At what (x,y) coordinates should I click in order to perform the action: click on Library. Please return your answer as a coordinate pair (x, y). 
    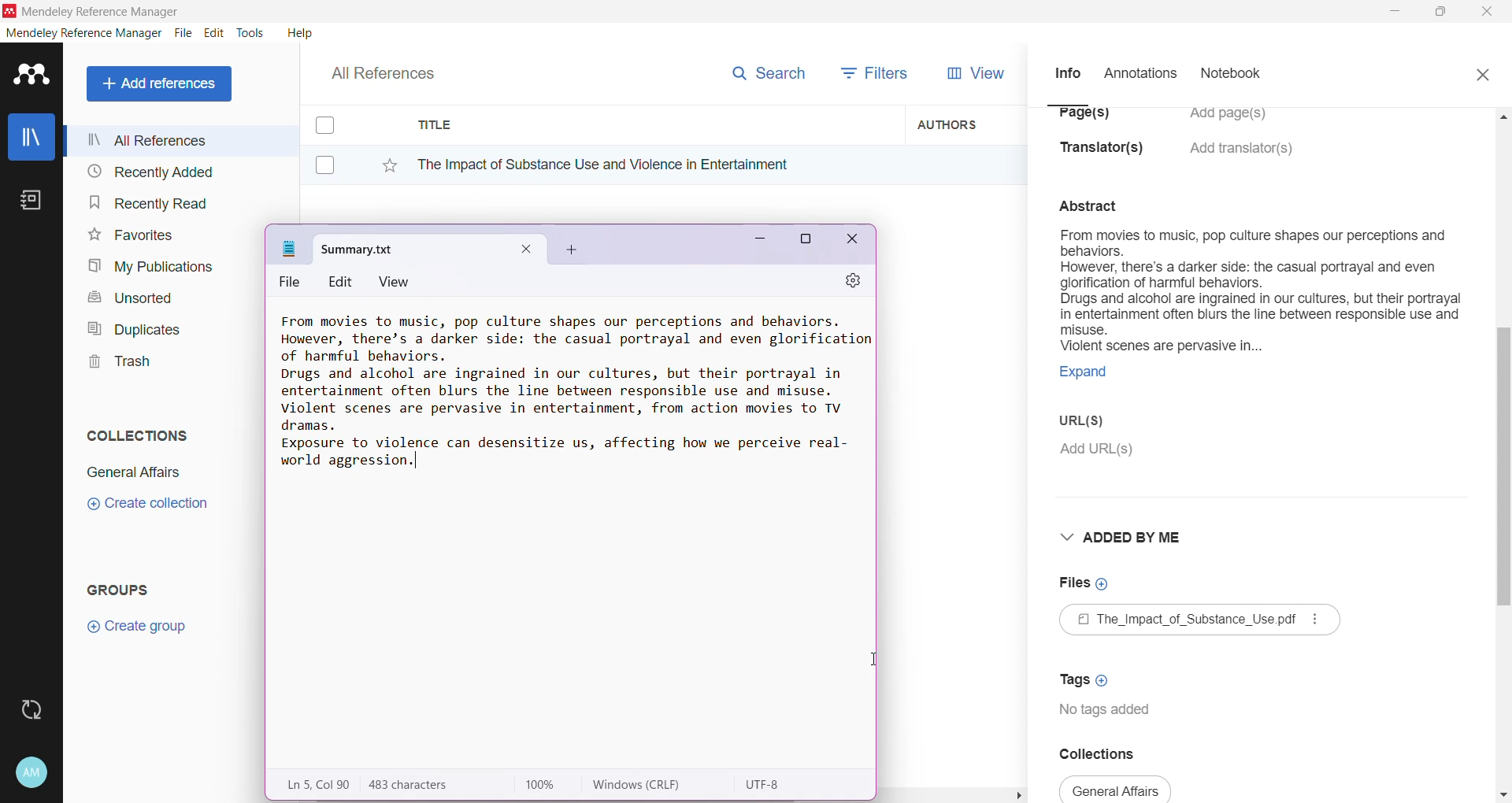
    Looking at the image, I should click on (31, 139).